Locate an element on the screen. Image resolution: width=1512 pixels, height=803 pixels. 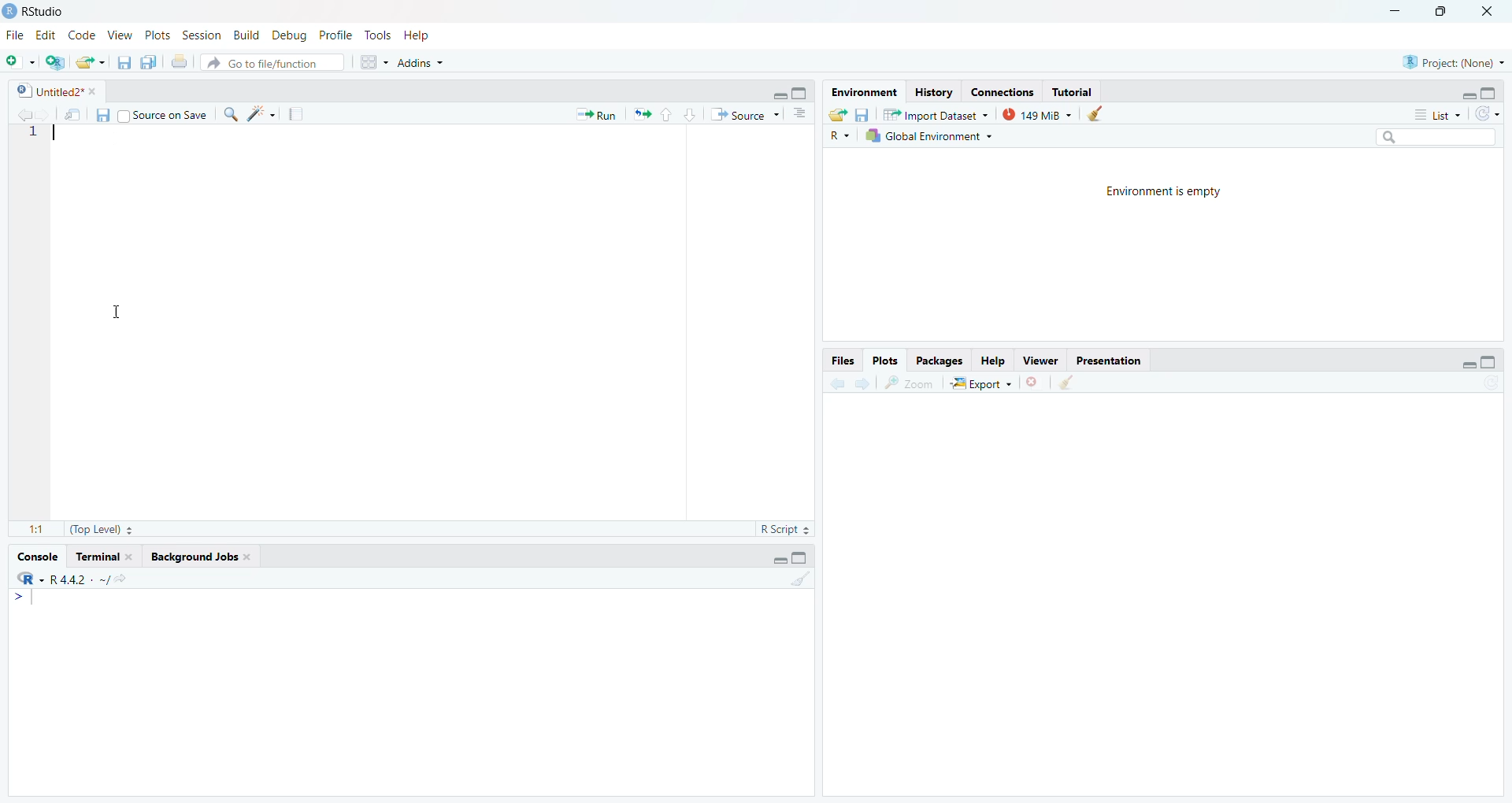
Show in new window is located at coordinates (74, 113).